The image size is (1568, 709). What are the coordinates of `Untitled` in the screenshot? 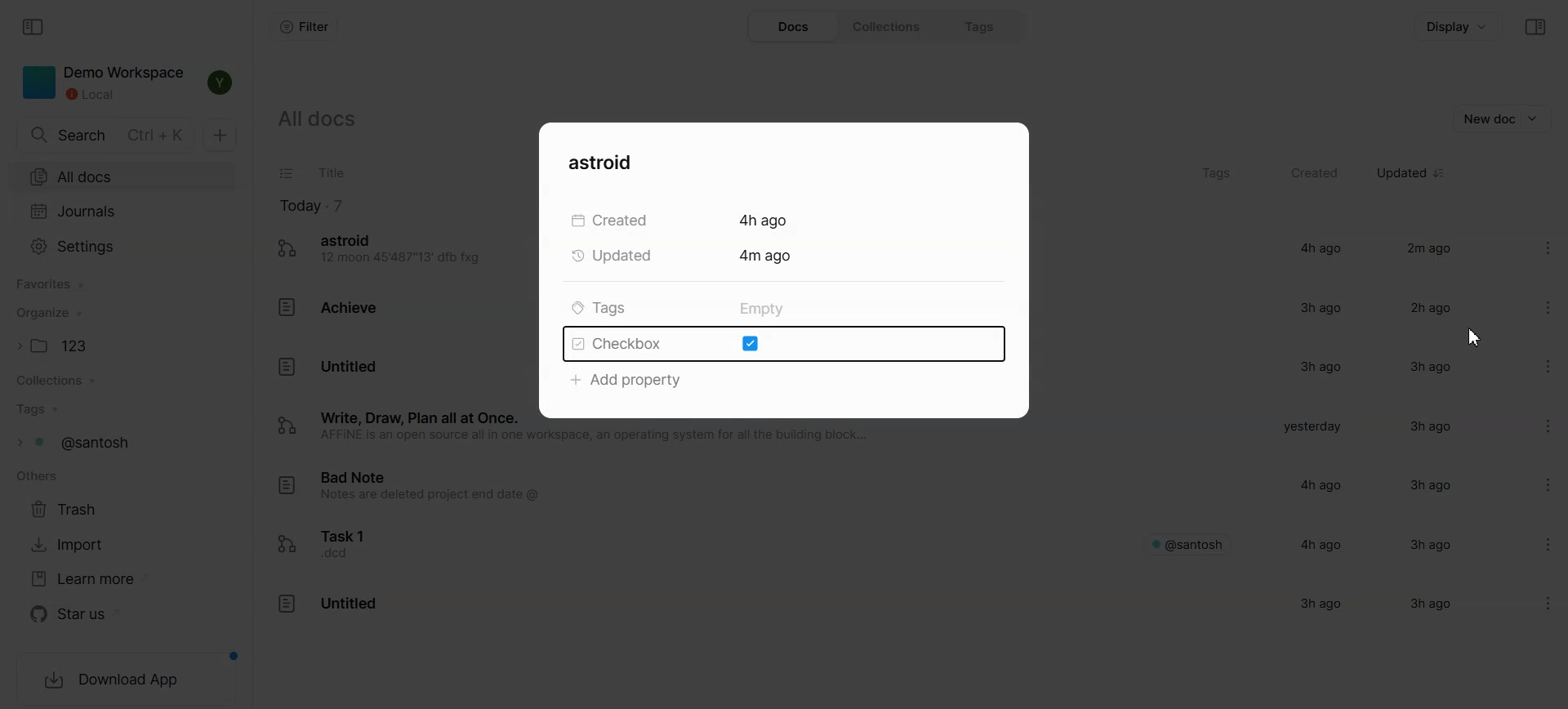 It's located at (327, 608).